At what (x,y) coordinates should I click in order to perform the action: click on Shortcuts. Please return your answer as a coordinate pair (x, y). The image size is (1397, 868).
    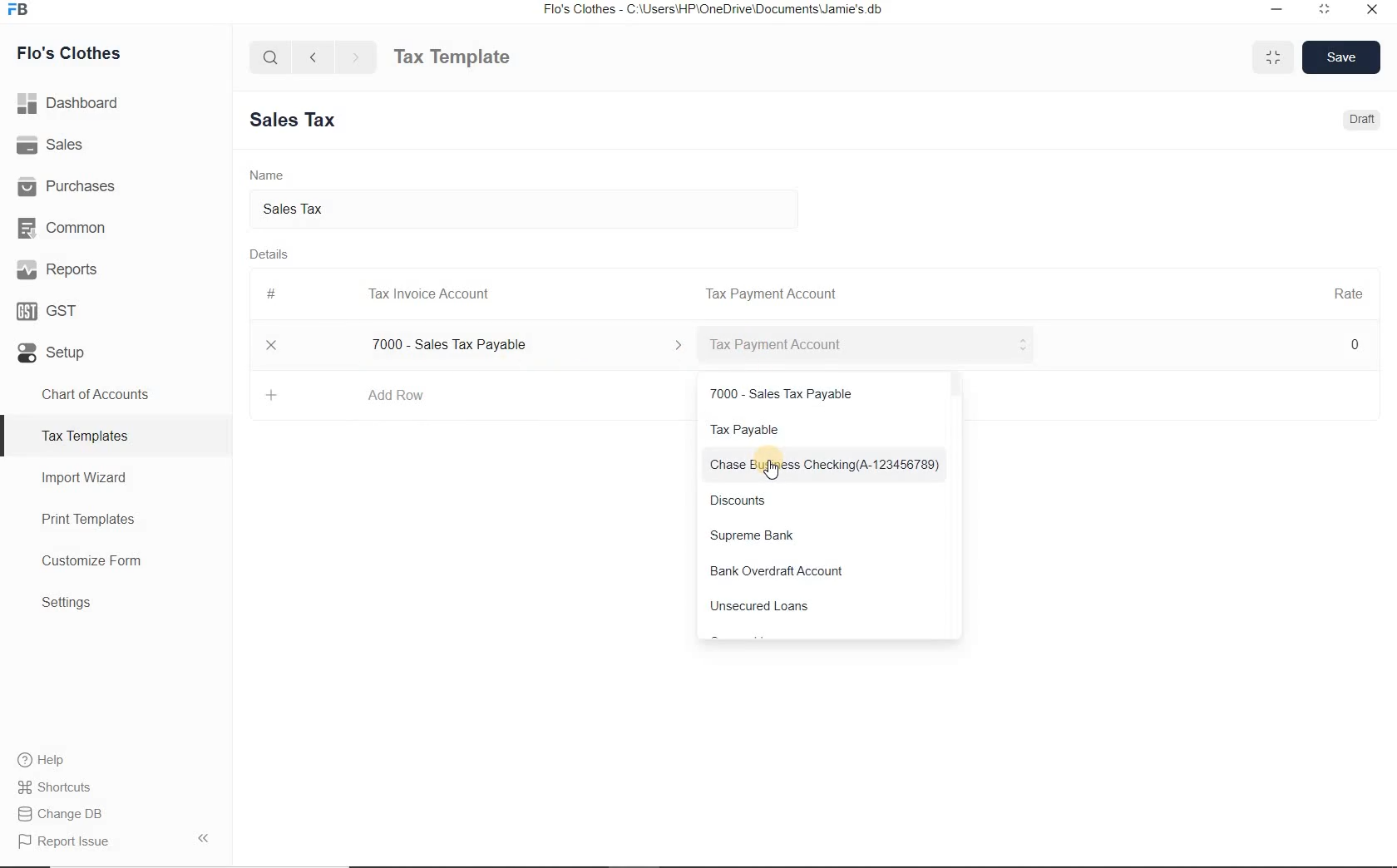
    Looking at the image, I should click on (116, 787).